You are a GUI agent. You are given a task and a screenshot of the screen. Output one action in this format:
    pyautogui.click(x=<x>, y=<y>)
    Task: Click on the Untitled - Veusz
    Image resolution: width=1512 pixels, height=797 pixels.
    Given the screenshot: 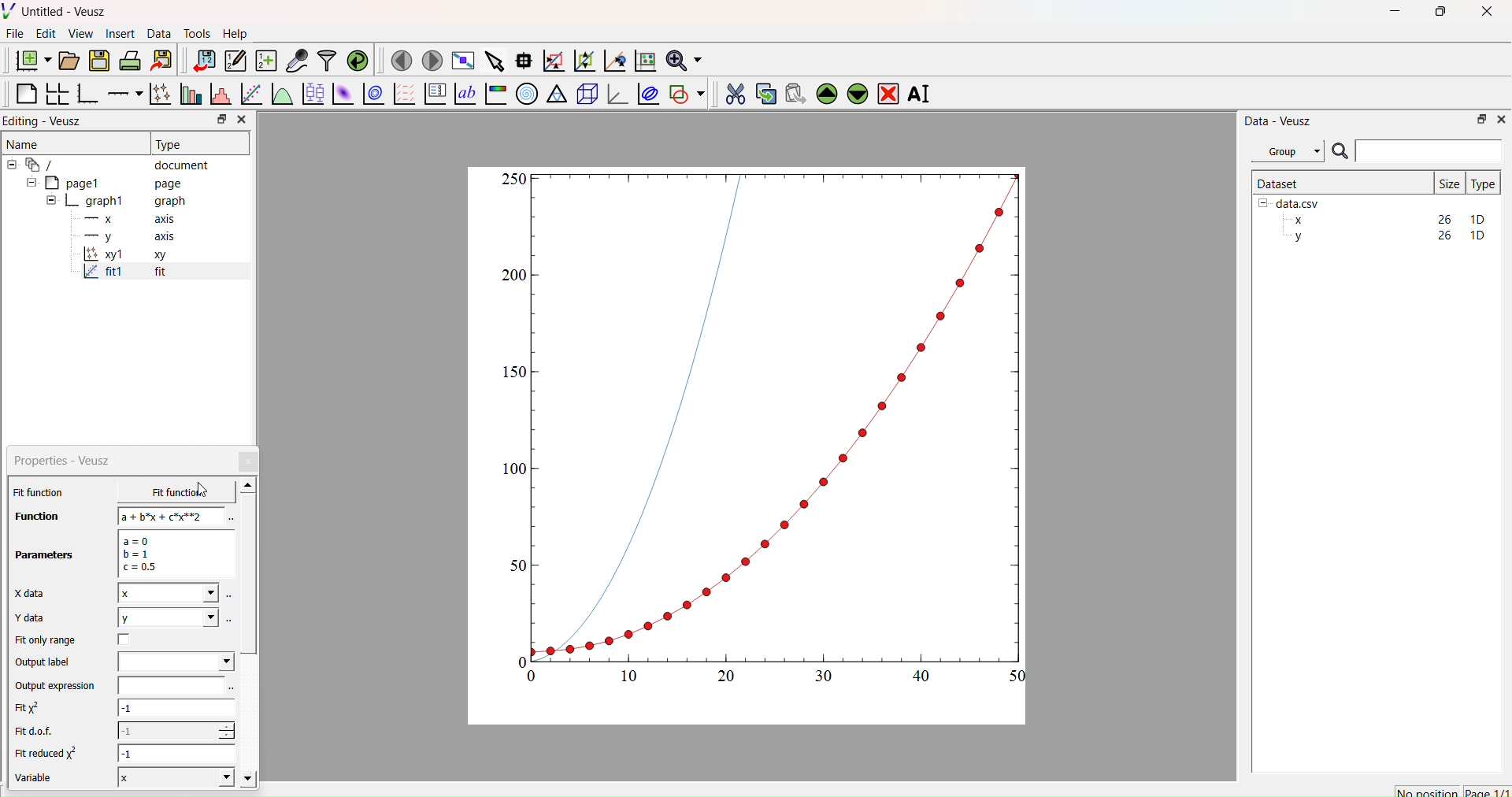 What is the action you would take?
    pyautogui.click(x=57, y=11)
    